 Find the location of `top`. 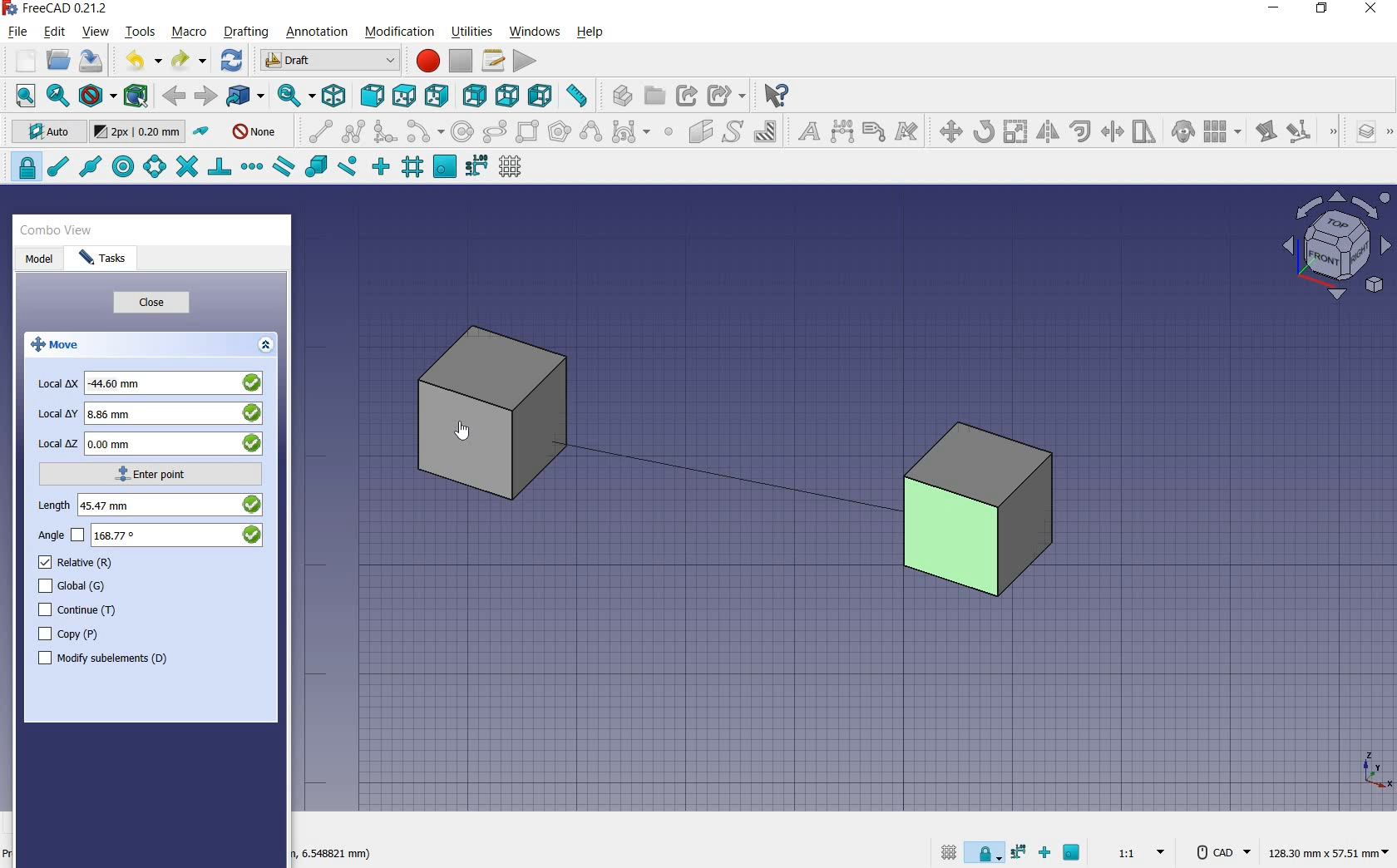

top is located at coordinates (407, 95).